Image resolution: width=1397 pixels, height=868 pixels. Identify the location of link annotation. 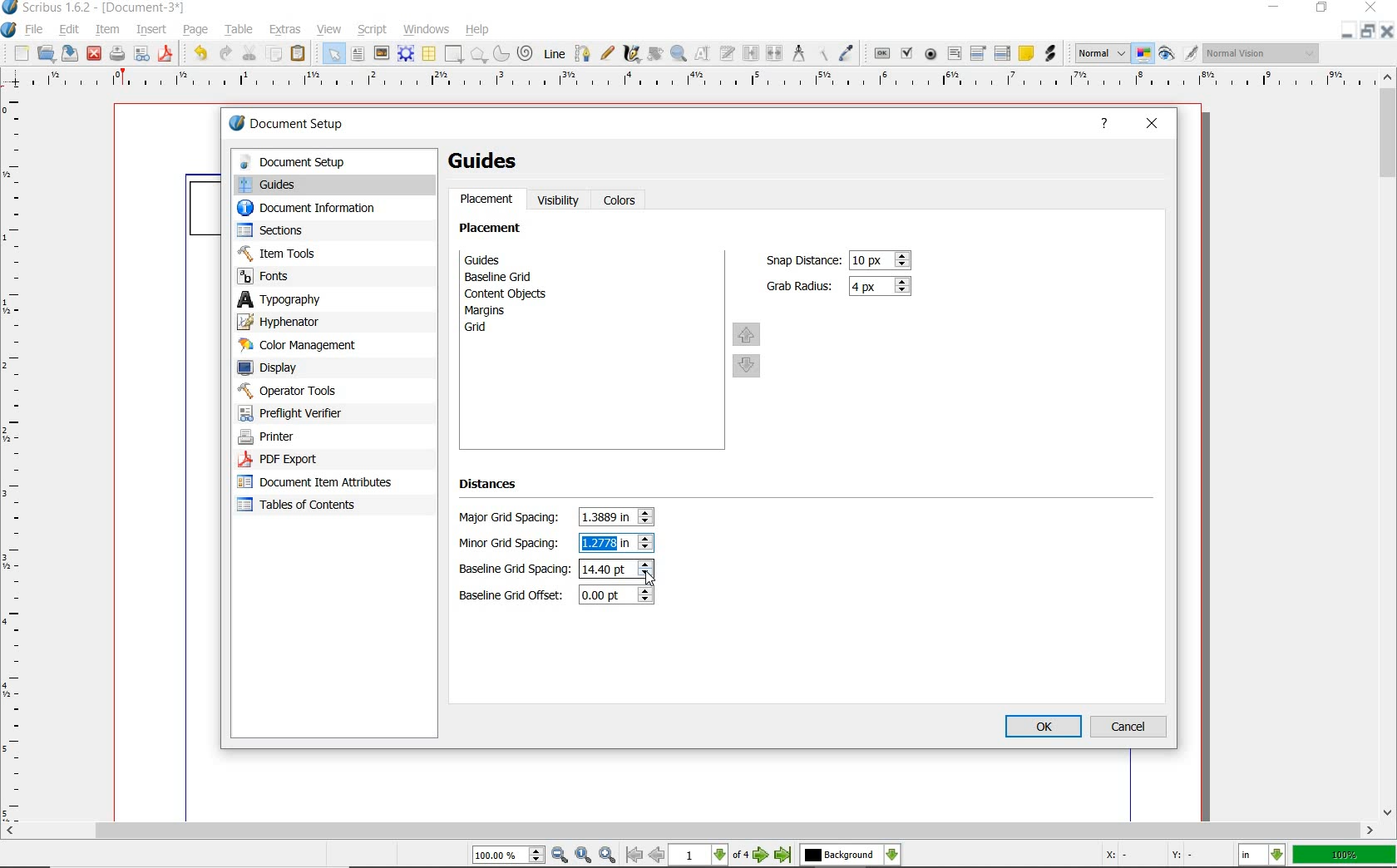
(1053, 55).